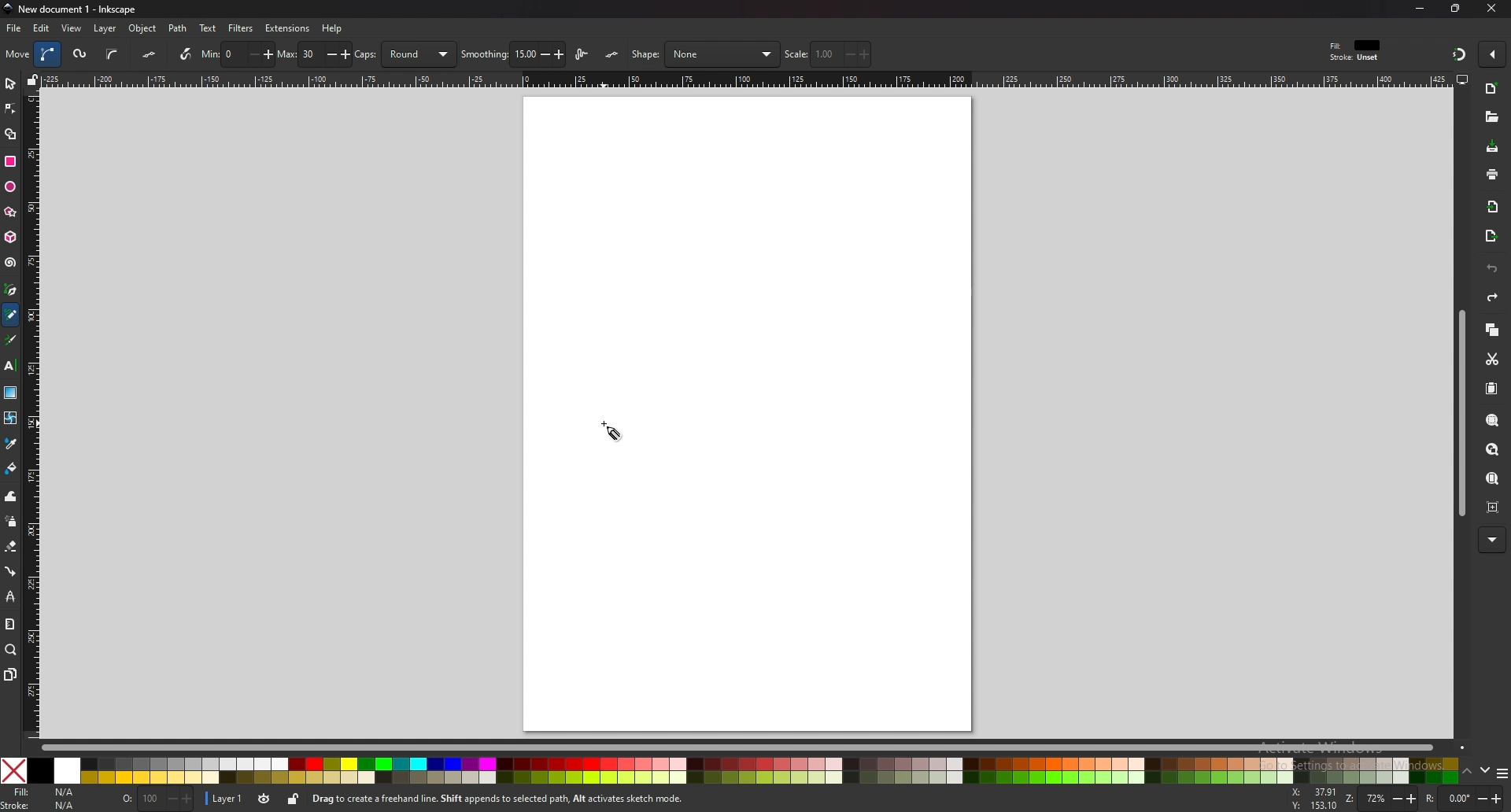 This screenshot has width=1511, height=812. I want to click on print, so click(1490, 174).